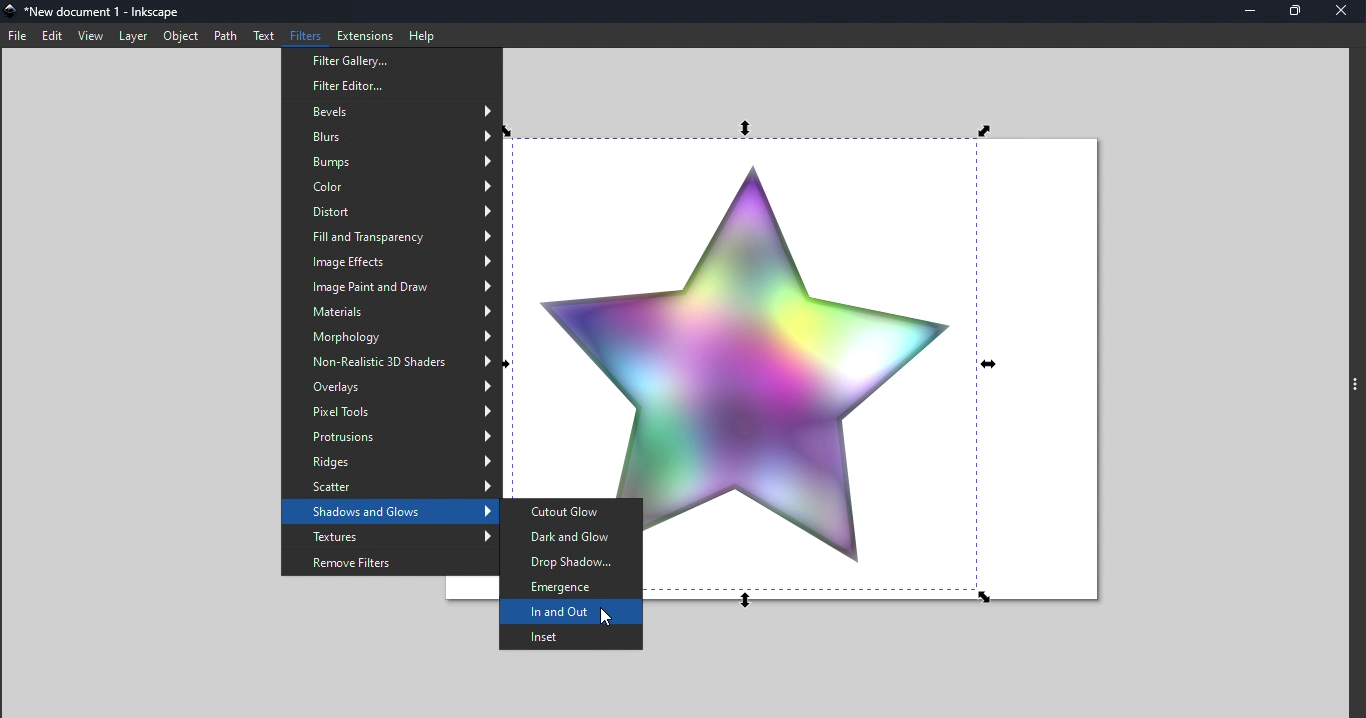  What do you see at coordinates (131, 36) in the screenshot?
I see `Layer` at bounding box center [131, 36].